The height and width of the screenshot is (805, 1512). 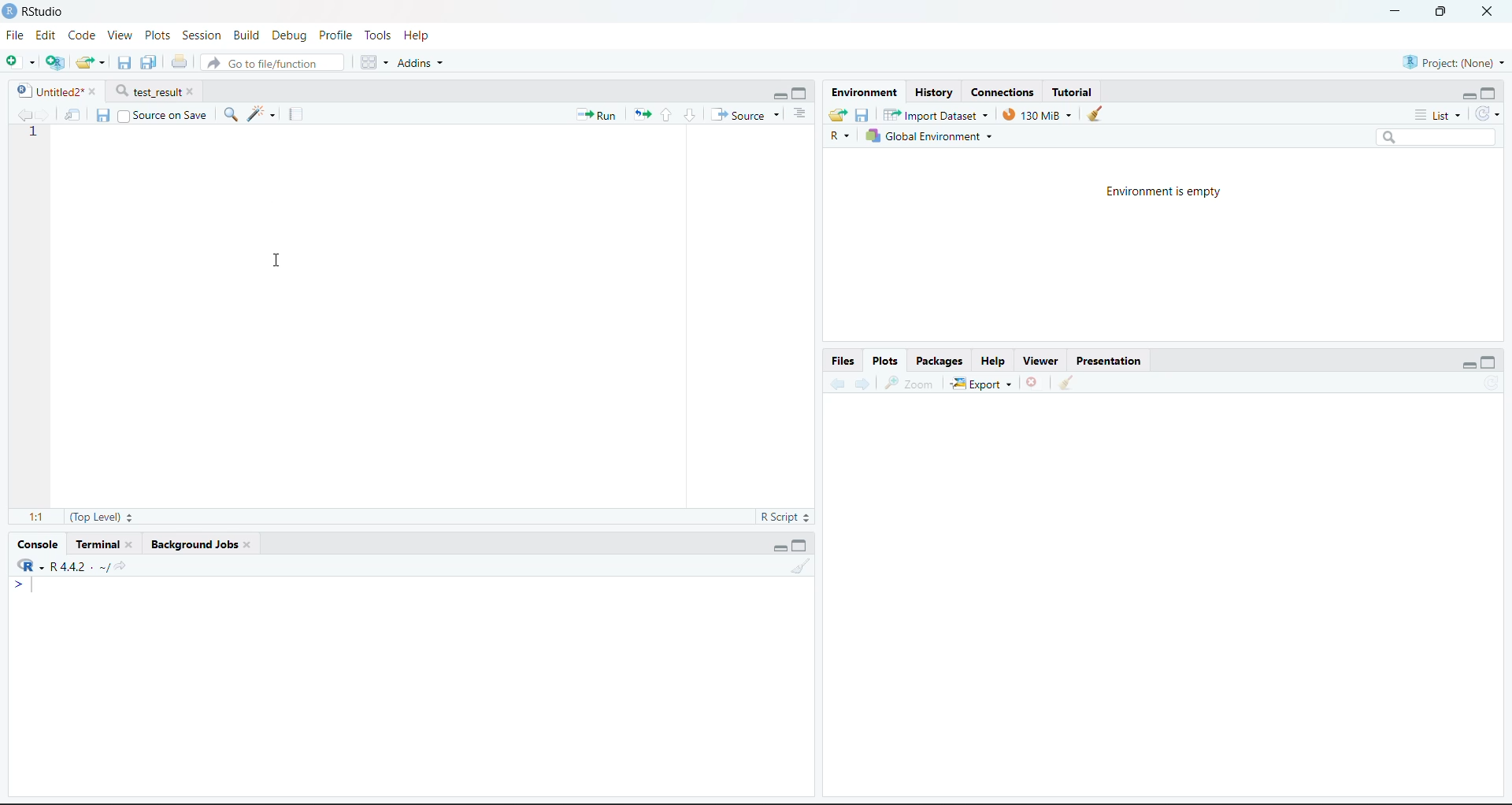 I want to click on Refresh the list of objects in the environment, so click(x=1487, y=113).